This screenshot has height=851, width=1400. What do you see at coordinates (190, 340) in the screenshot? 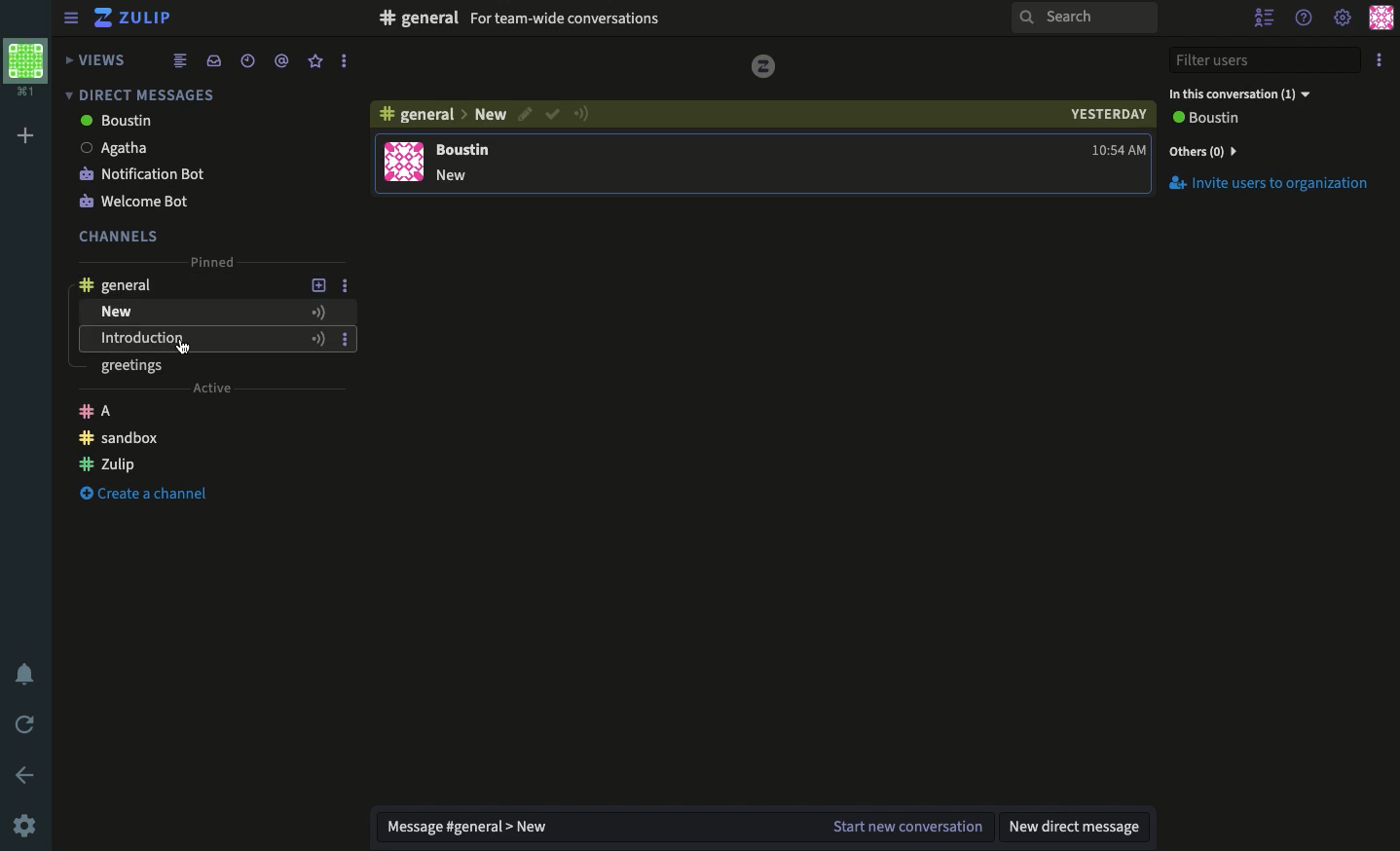
I see `Introduction` at bounding box center [190, 340].